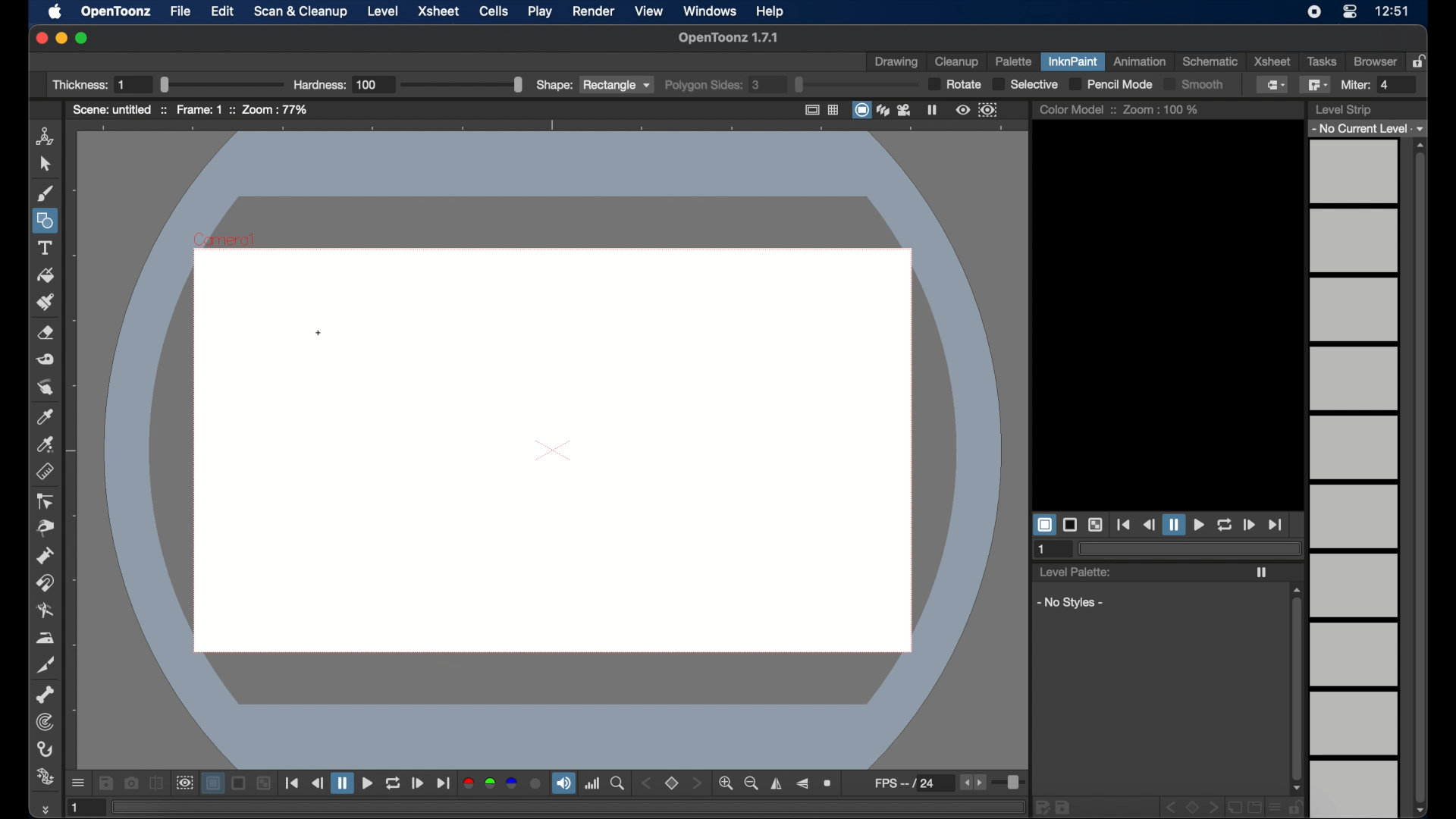  Describe the element at coordinates (392, 784) in the screenshot. I see `repeat` at that location.